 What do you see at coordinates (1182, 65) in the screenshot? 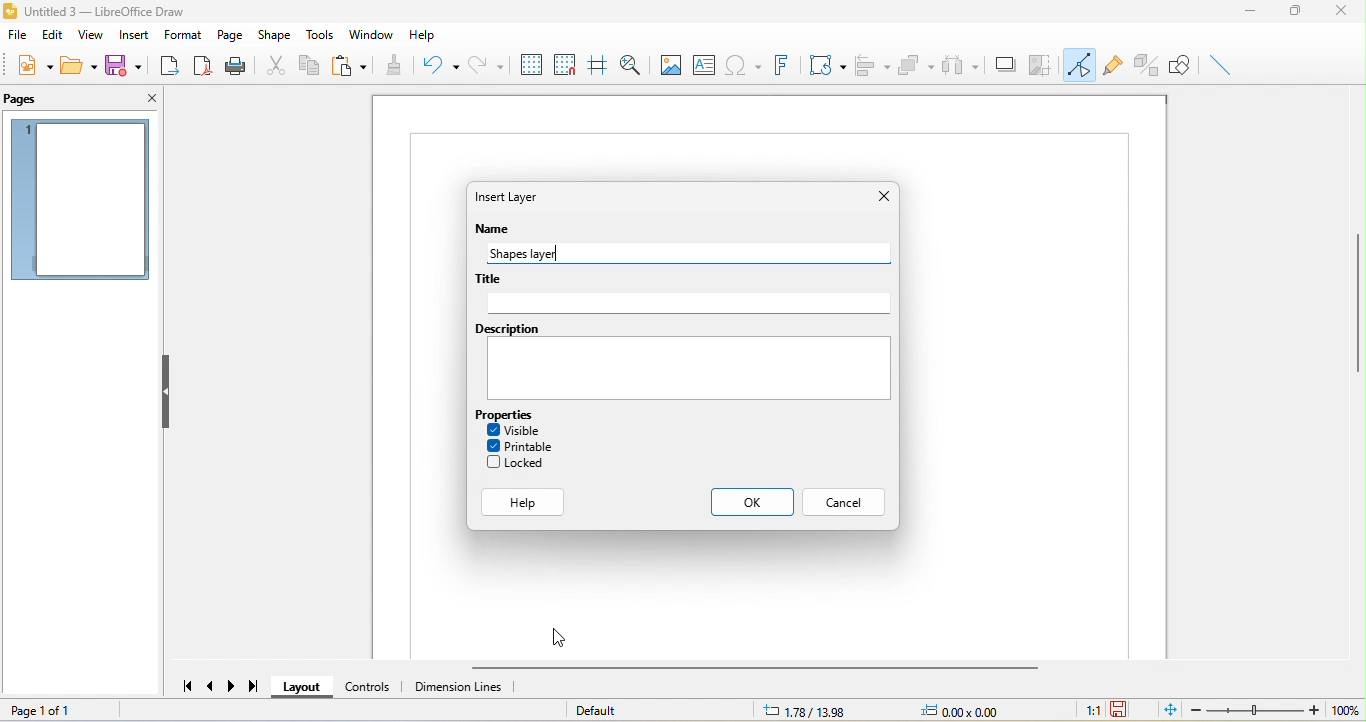
I see `show draw function` at bounding box center [1182, 65].